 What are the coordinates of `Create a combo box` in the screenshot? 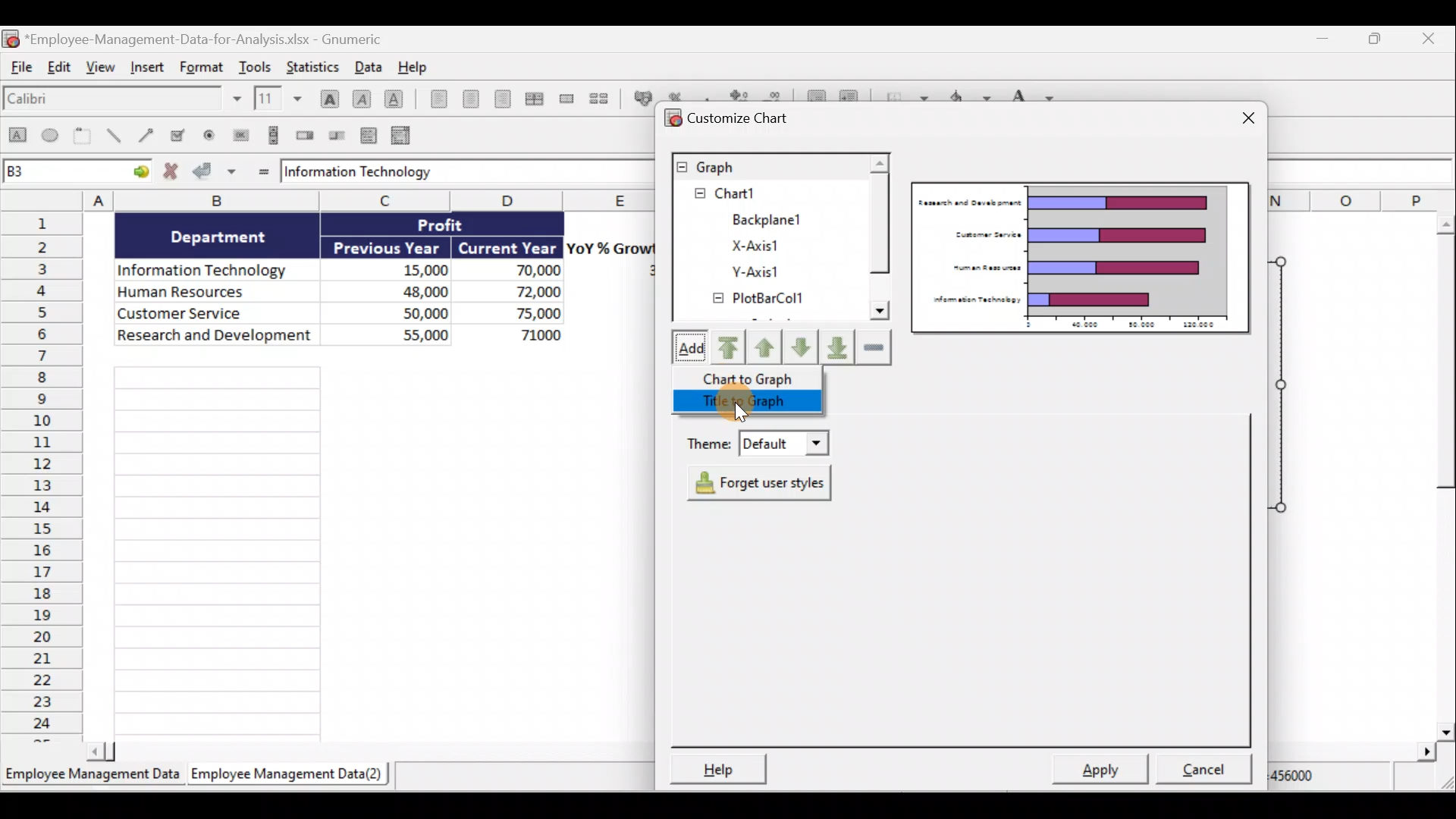 It's located at (404, 136).